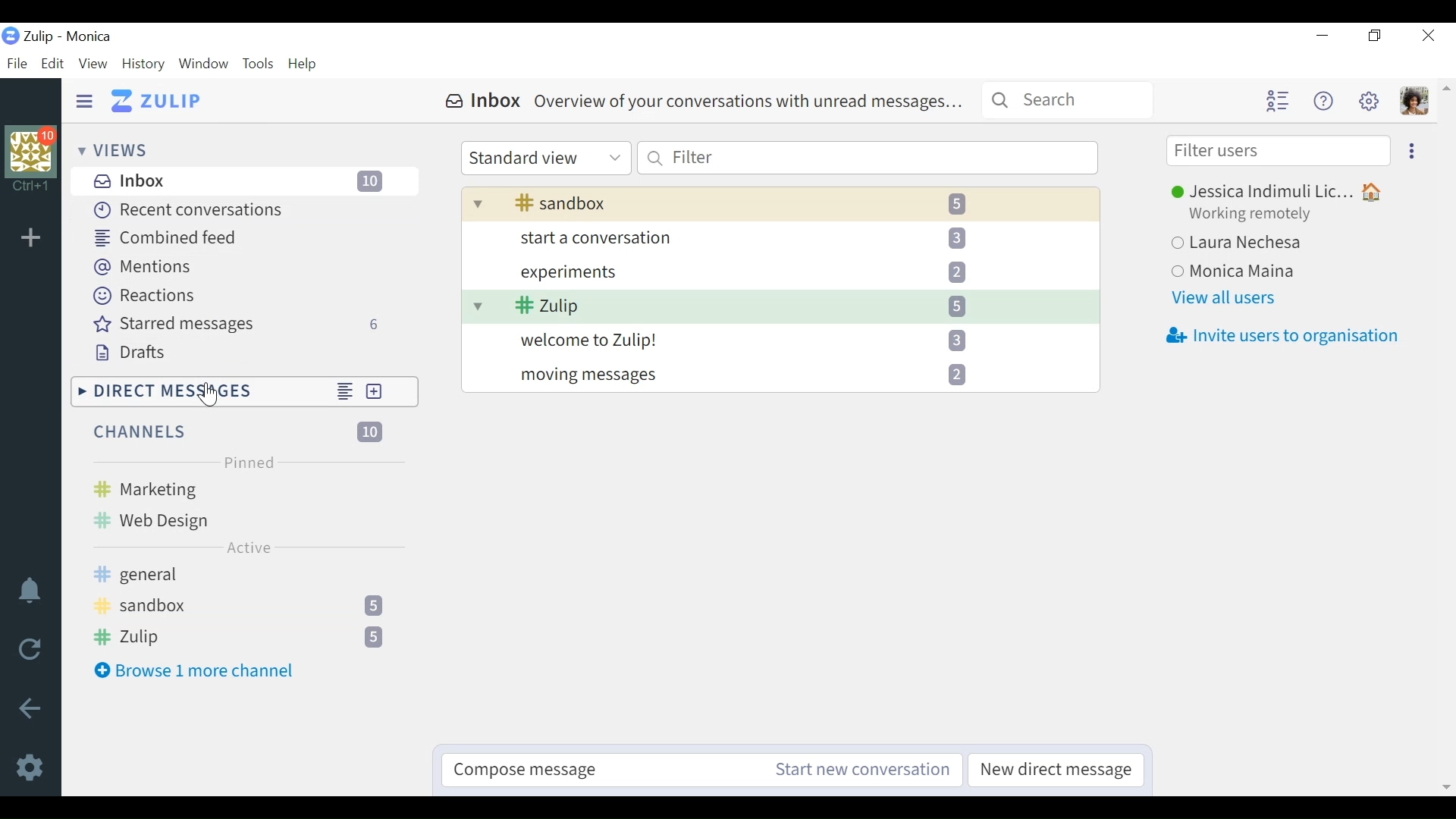  I want to click on Start new conversations, so click(861, 767).